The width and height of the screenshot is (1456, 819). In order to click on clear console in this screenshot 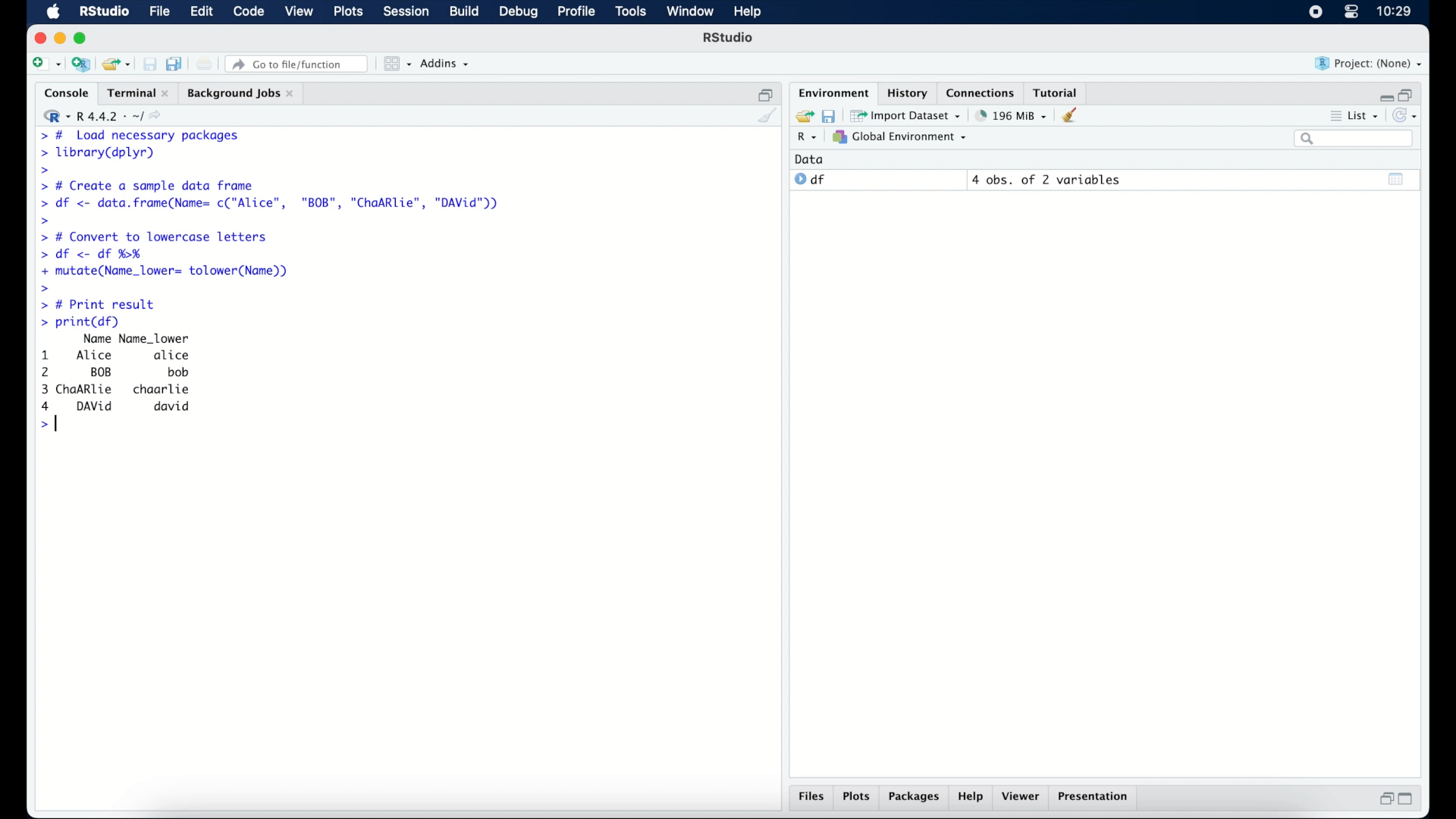, I will do `click(770, 117)`.